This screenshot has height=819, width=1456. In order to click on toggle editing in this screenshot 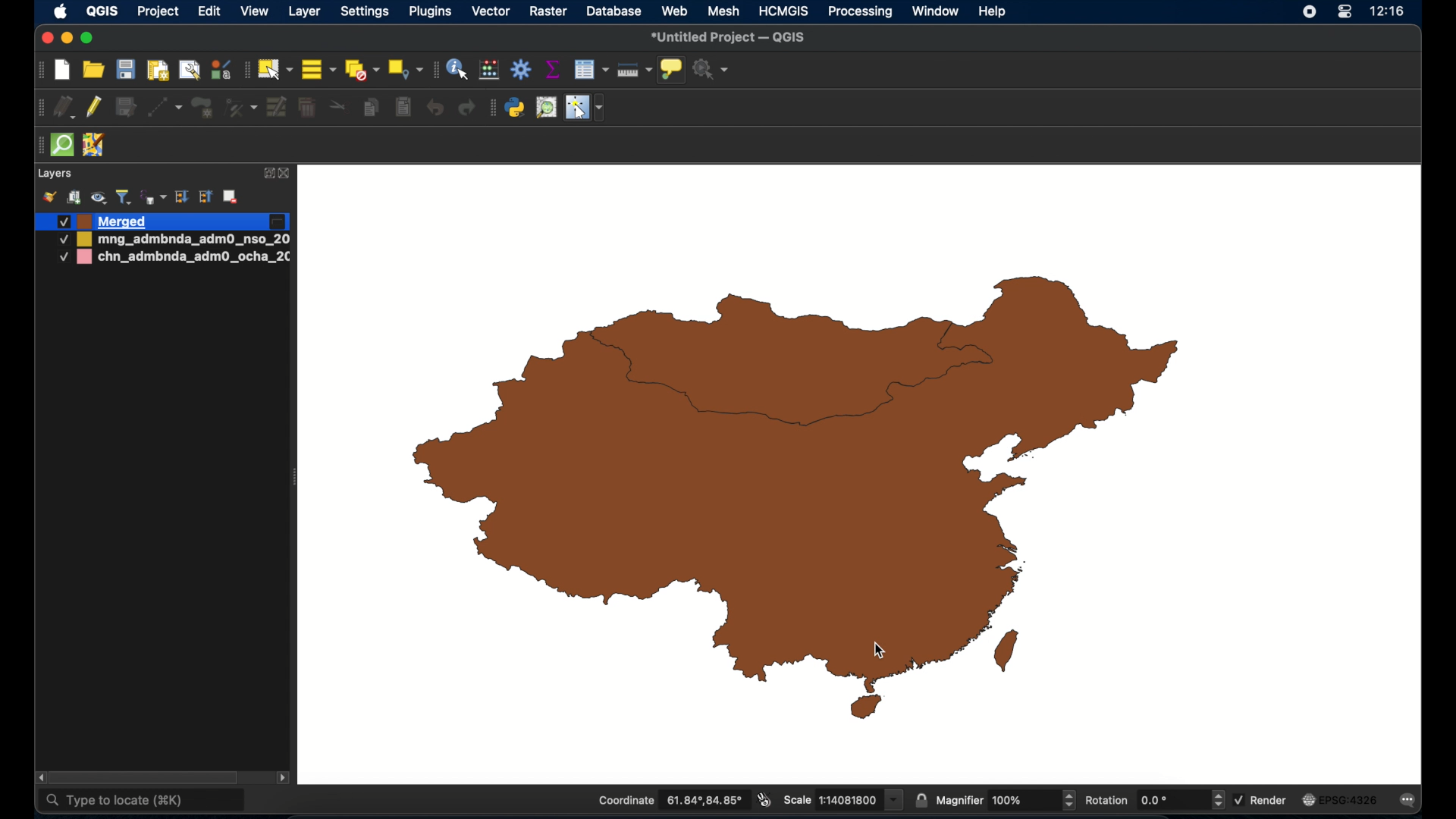, I will do `click(95, 108)`.